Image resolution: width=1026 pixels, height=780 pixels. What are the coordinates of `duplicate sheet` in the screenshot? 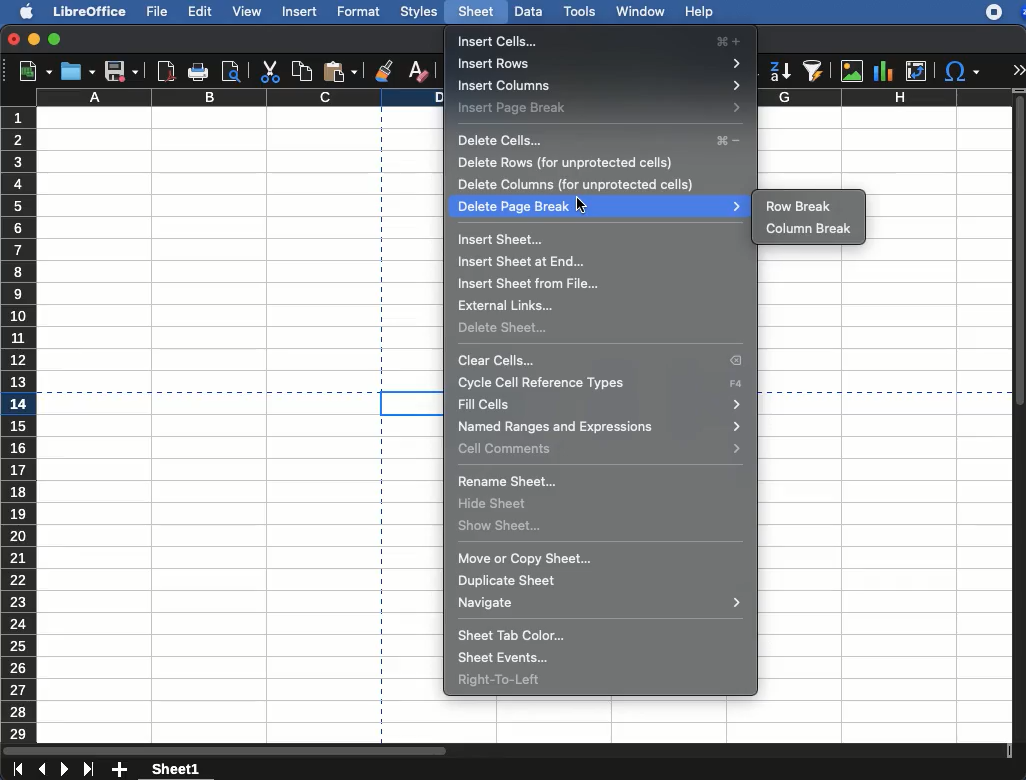 It's located at (510, 581).